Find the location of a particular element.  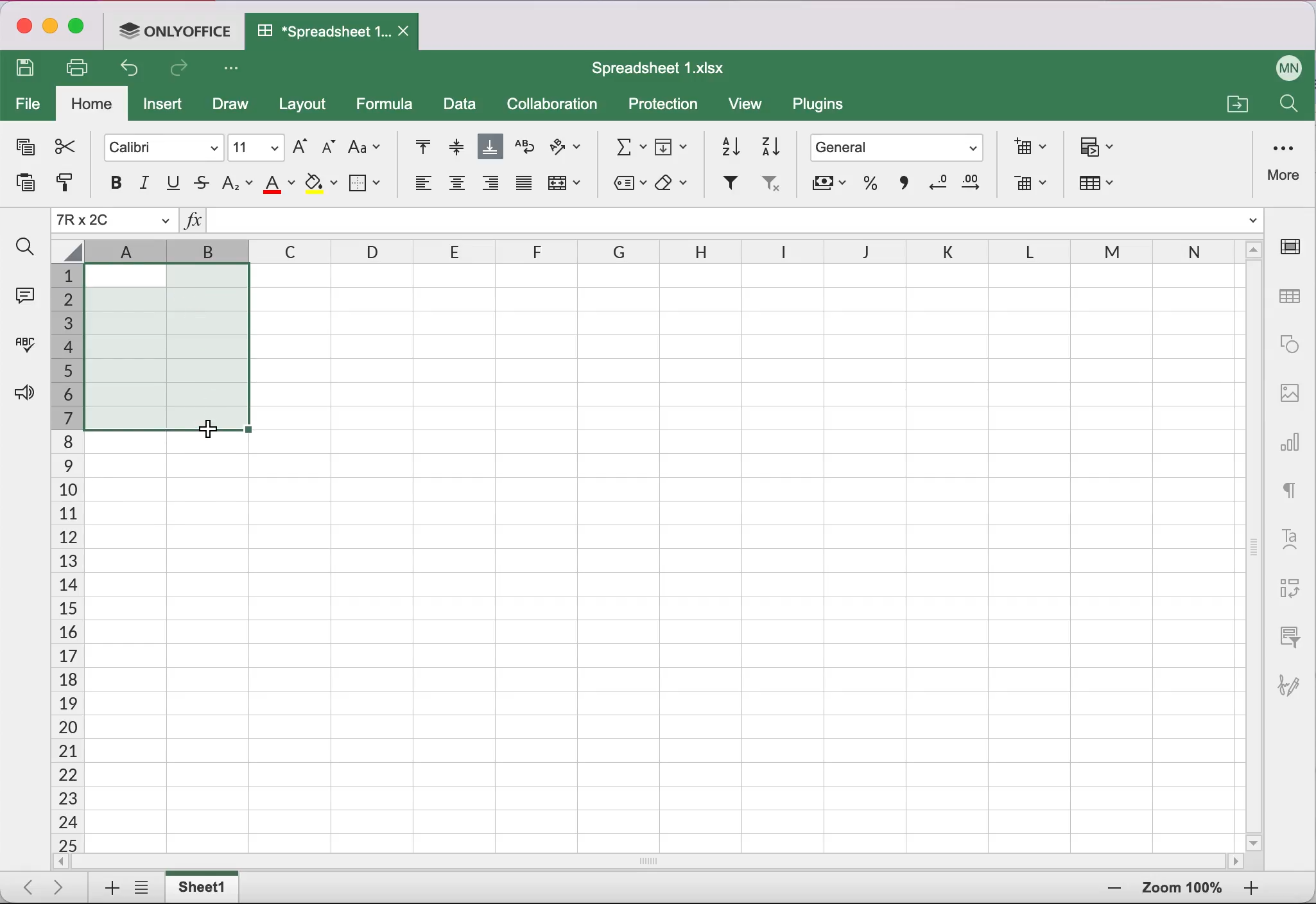

plugins is located at coordinates (824, 107).